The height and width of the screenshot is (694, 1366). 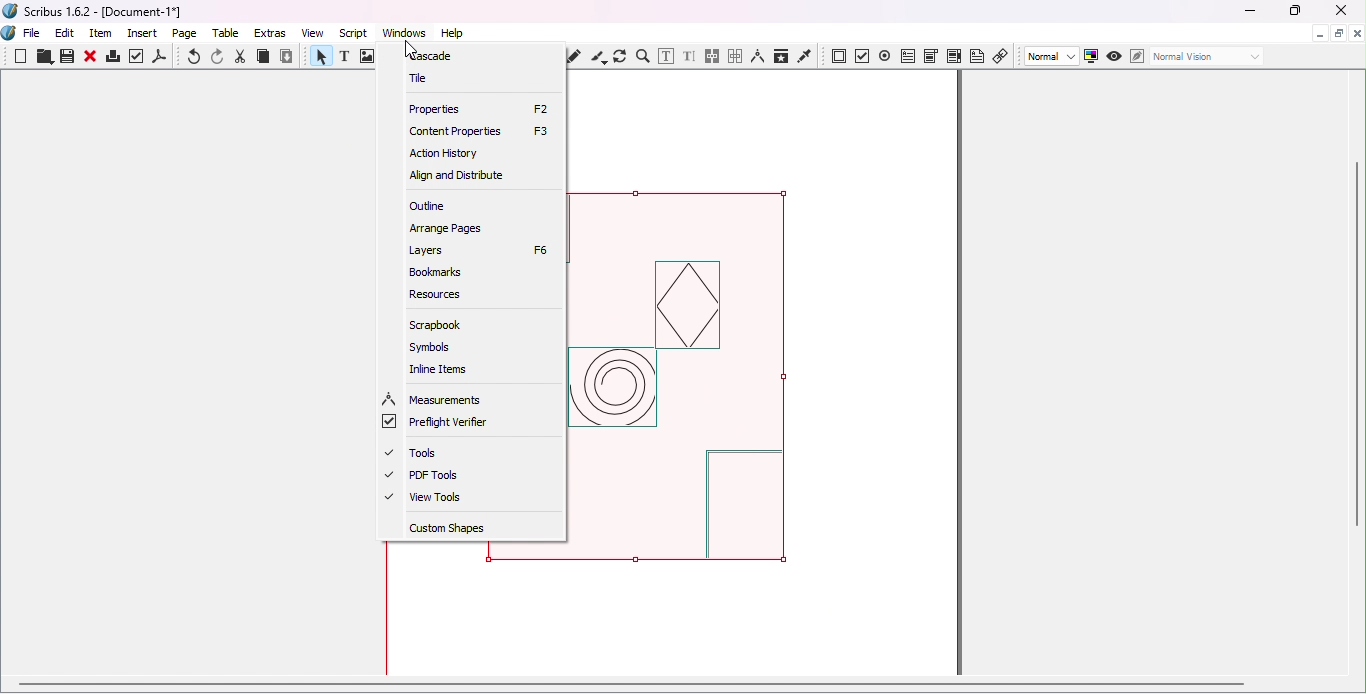 What do you see at coordinates (674, 687) in the screenshot?
I see `Horizontal scroll bar` at bounding box center [674, 687].